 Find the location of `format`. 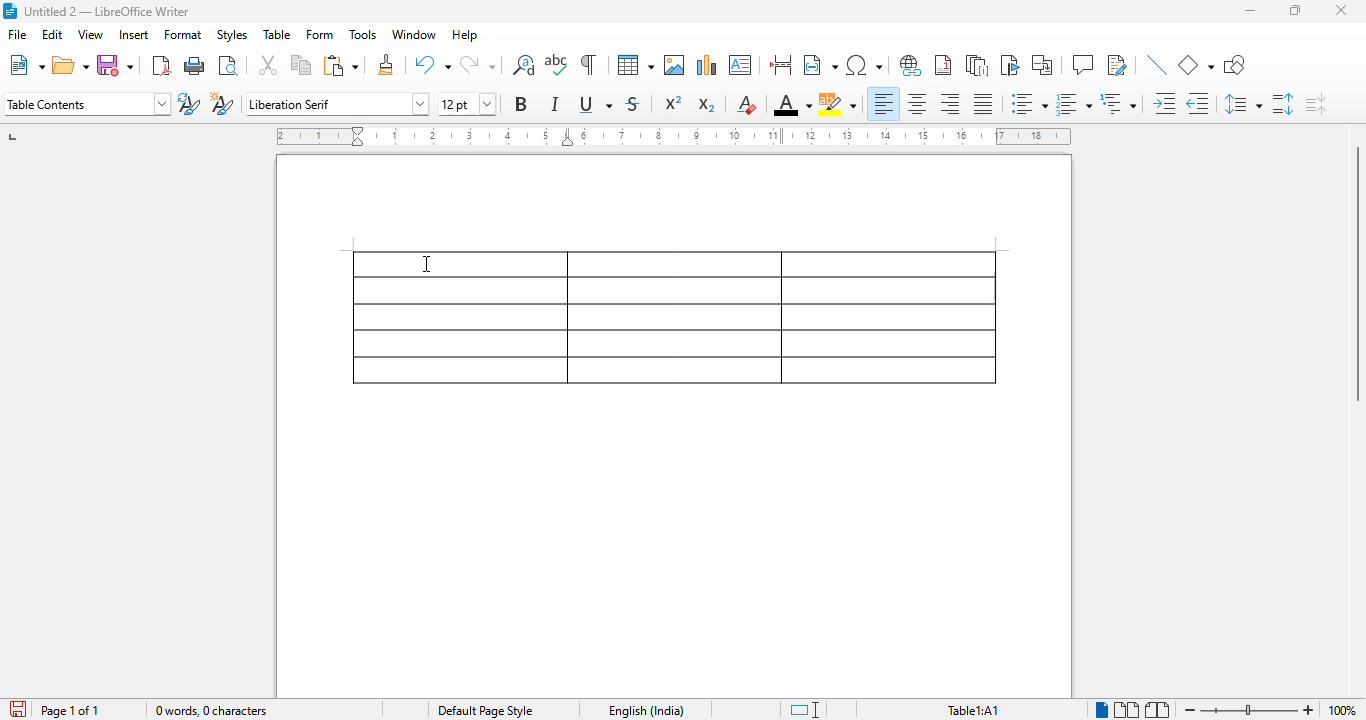

format is located at coordinates (183, 35).